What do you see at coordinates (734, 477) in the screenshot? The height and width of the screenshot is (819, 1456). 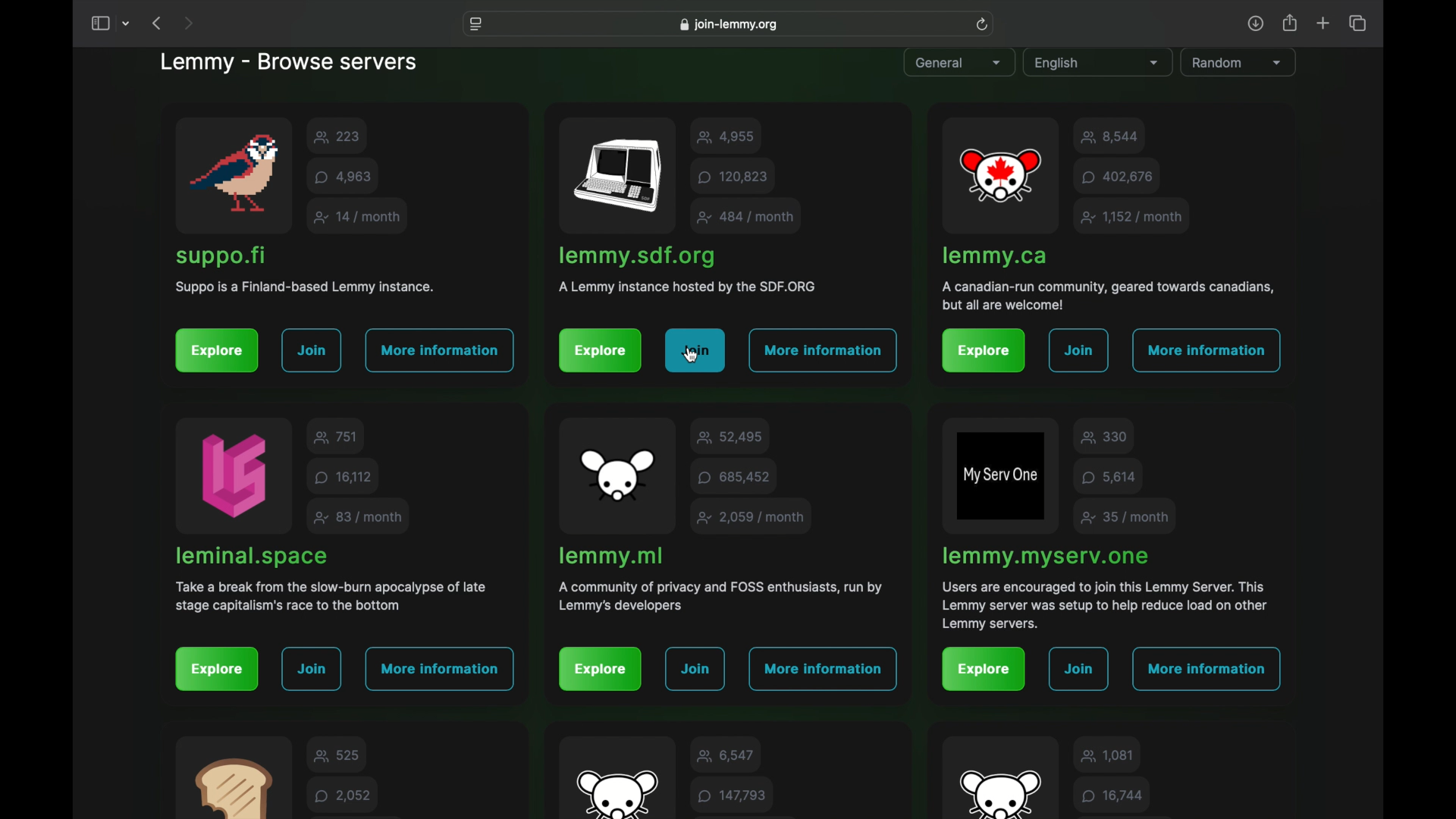 I see `comments` at bounding box center [734, 477].